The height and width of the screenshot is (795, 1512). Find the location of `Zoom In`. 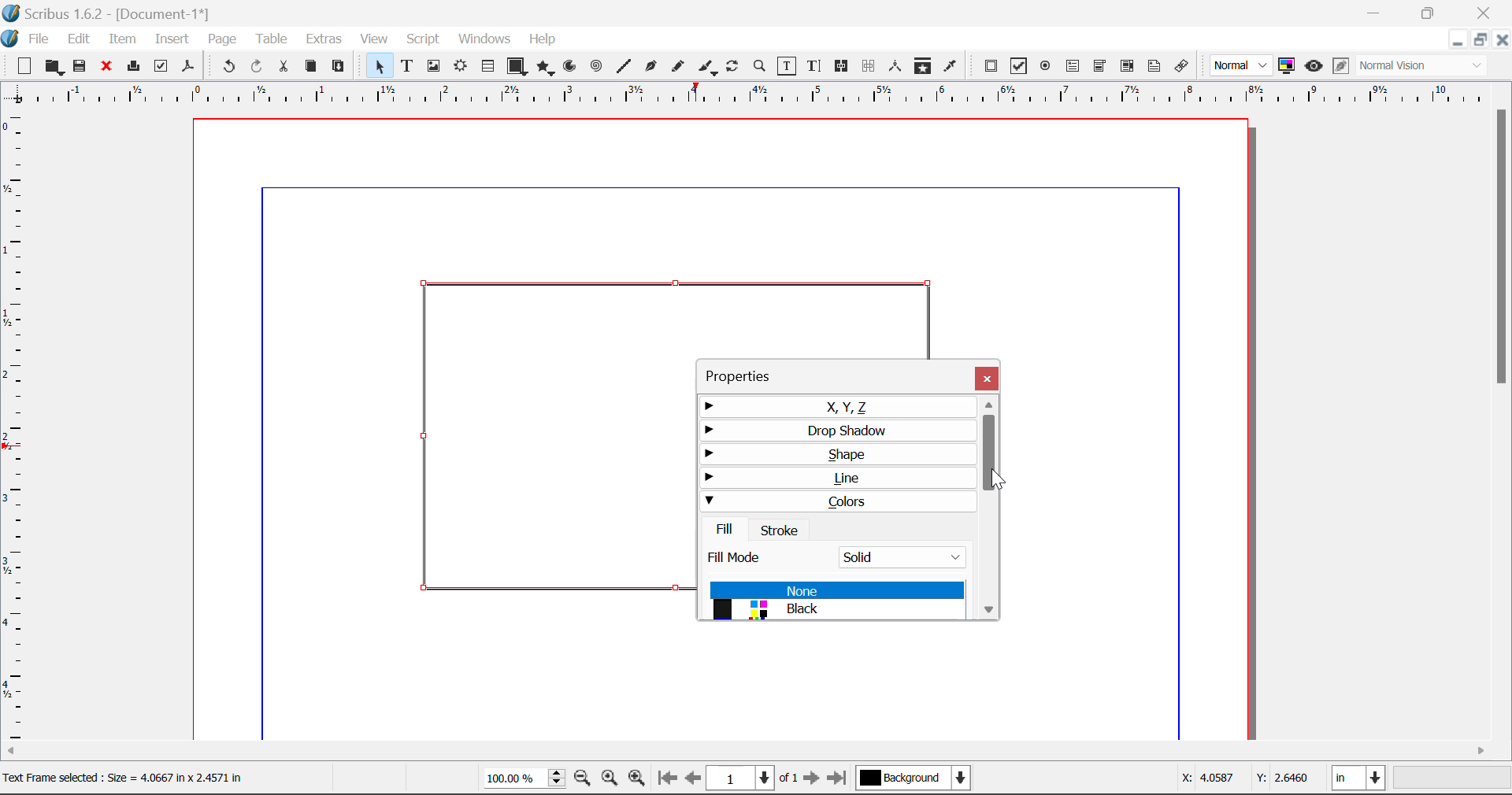

Zoom In is located at coordinates (637, 780).